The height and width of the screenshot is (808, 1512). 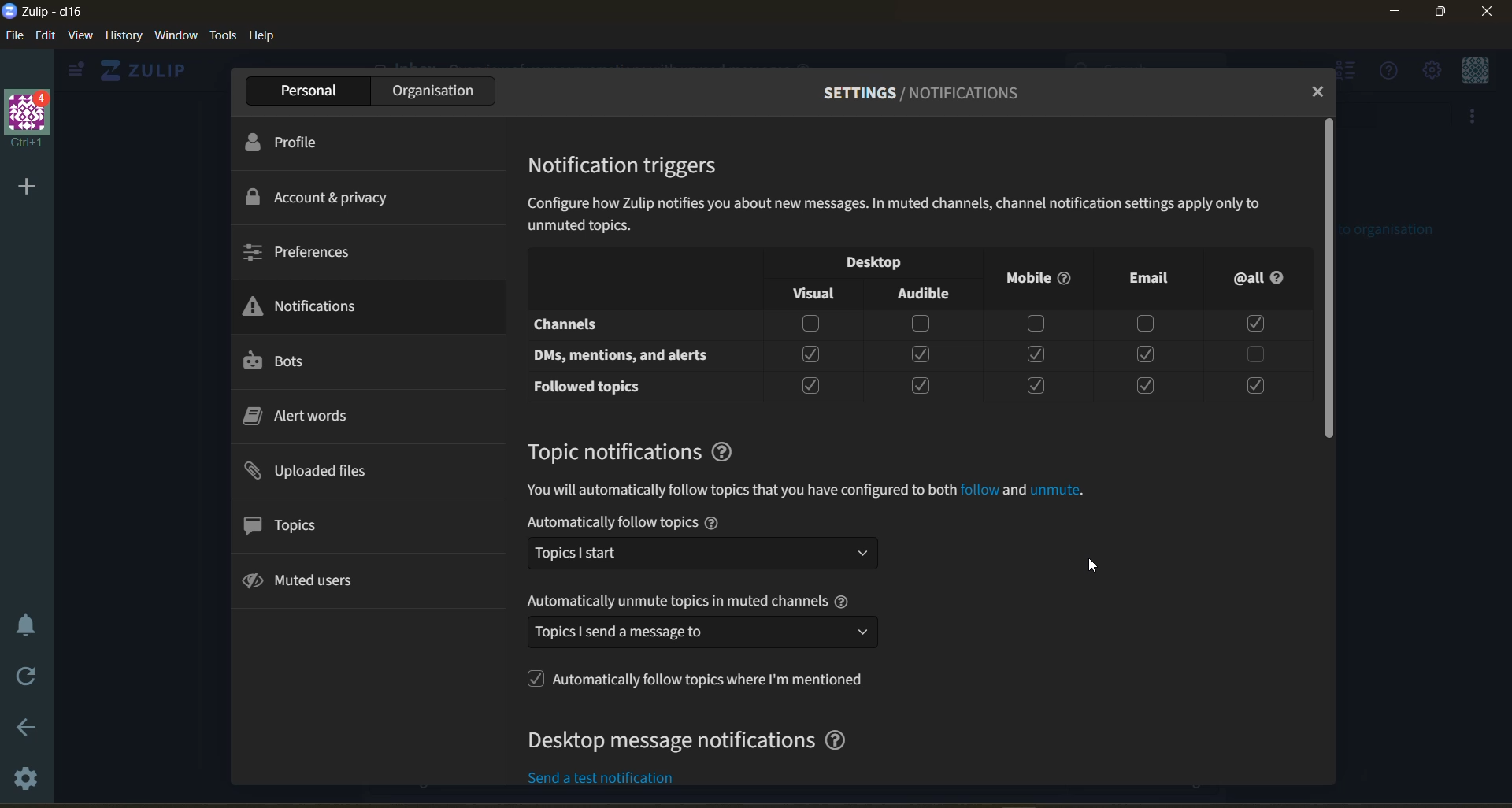 What do you see at coordinates (147, 70) in the screenshot?
I see `home view` at bounding box center [147, 70].